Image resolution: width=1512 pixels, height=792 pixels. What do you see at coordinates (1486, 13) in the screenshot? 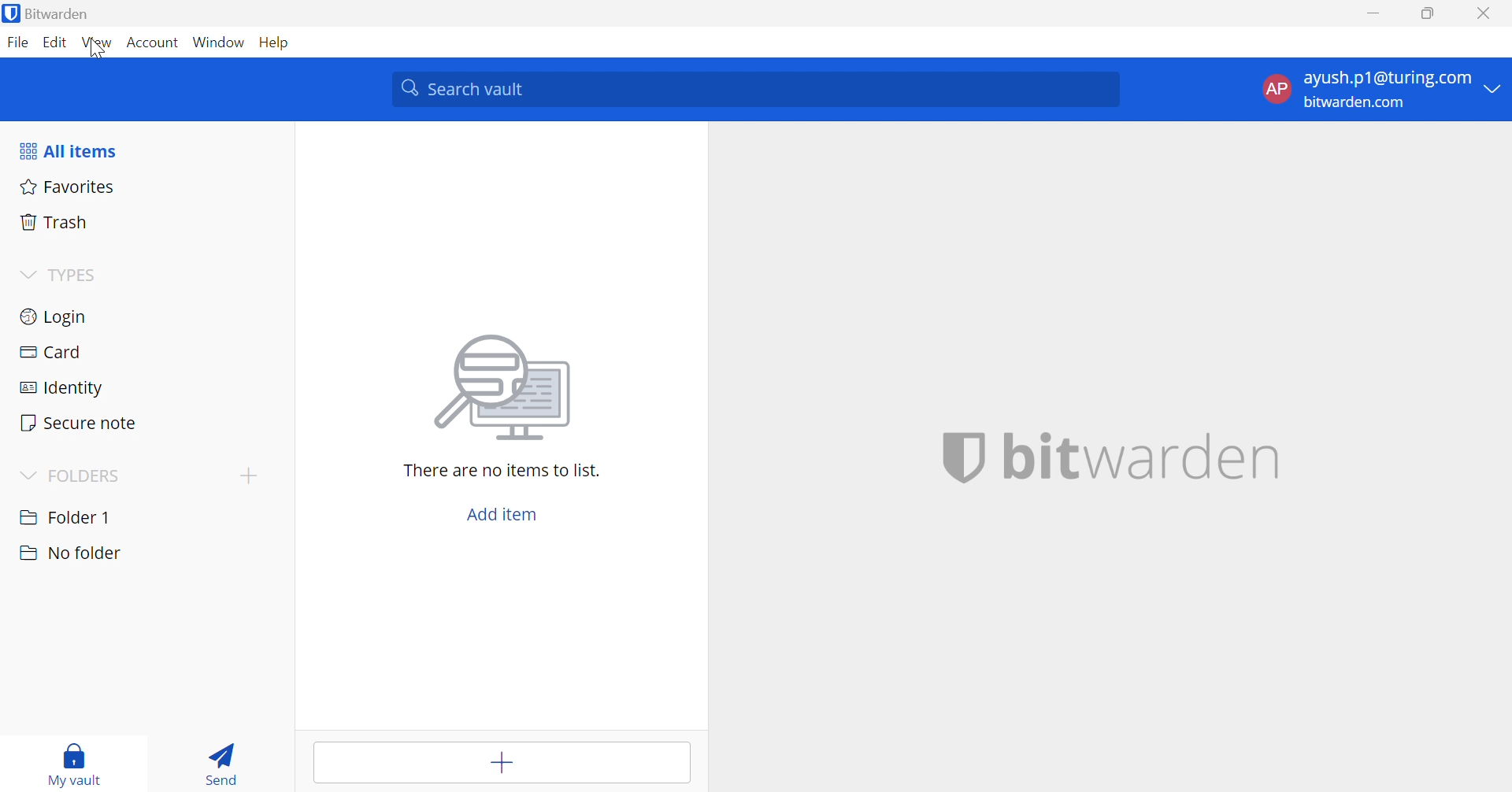
I see `Close` at bounding box center [1486, 13].